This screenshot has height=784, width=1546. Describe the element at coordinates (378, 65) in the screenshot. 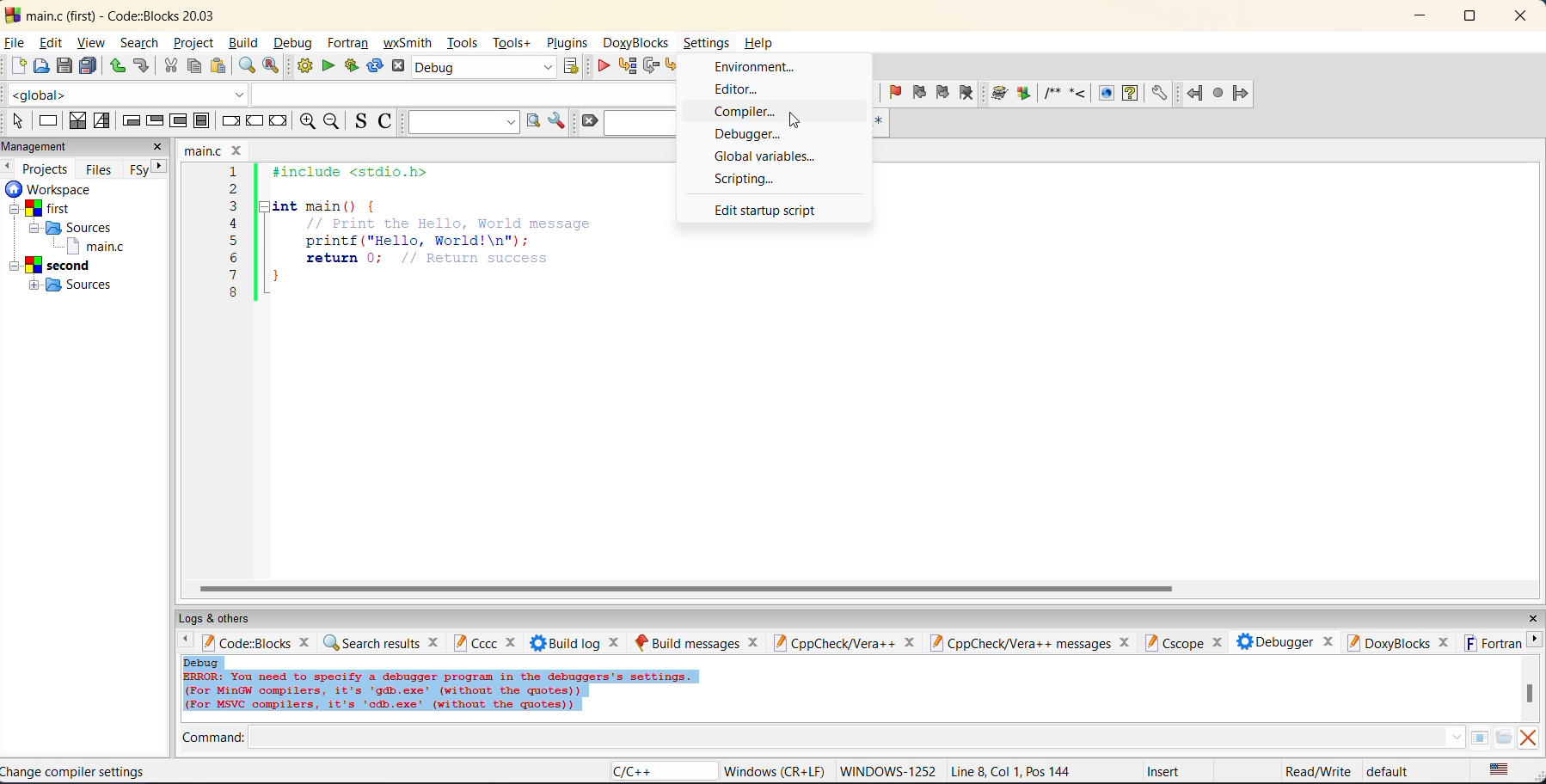

I see `rebuild` at that location.